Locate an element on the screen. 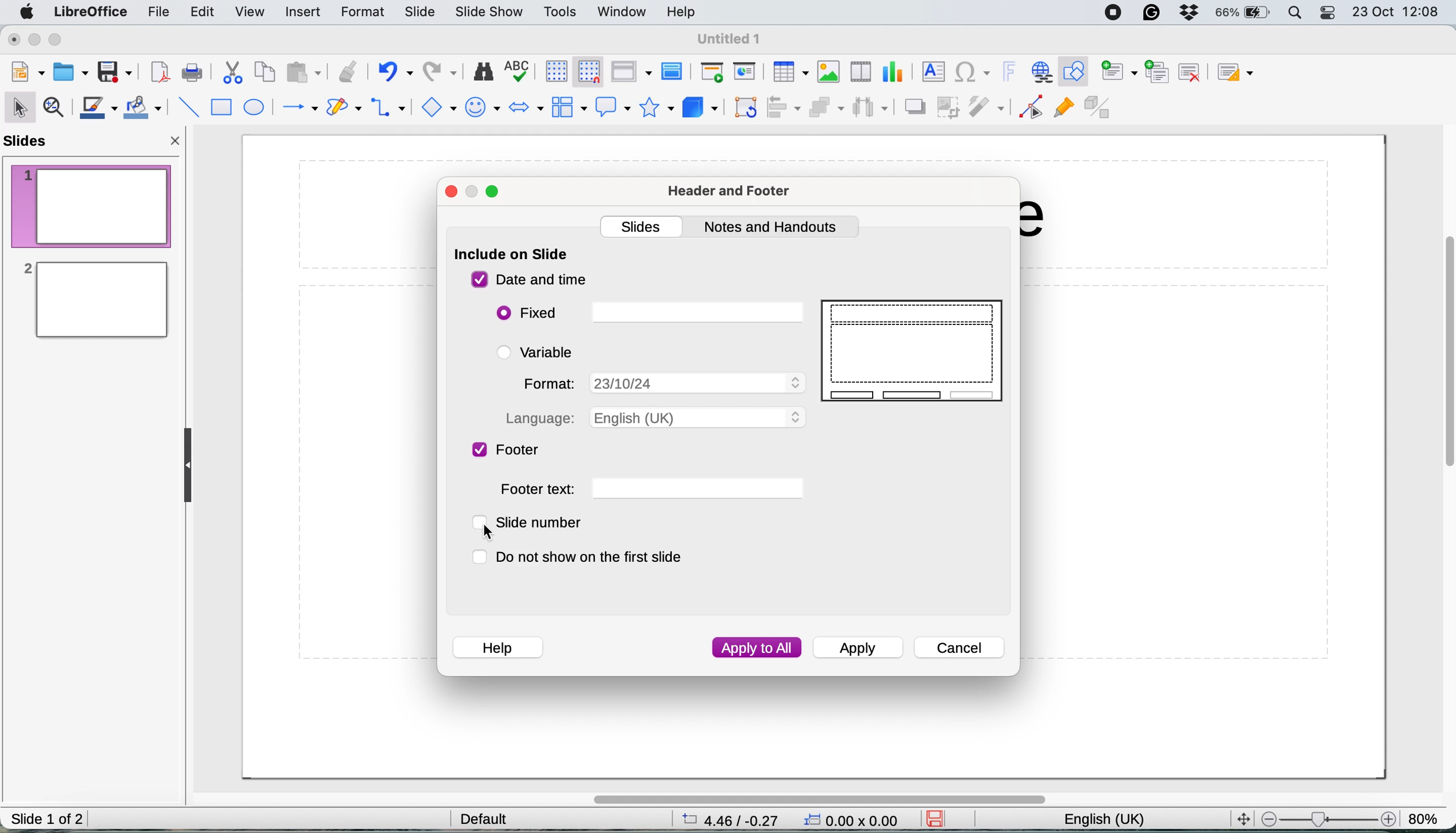  date and time is located at coordinates (529, 280).